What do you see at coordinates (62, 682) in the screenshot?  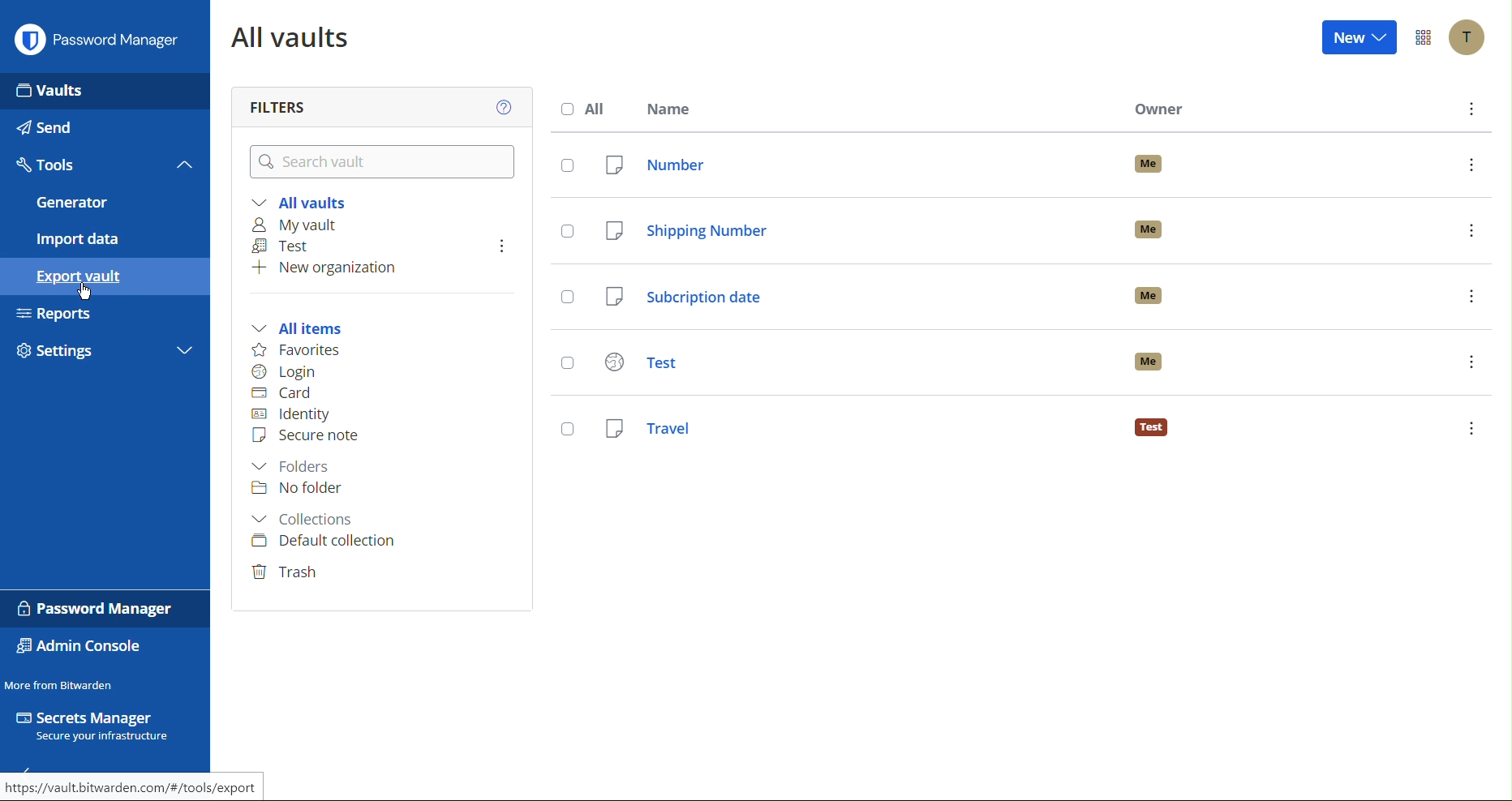 I see `Move from Bitwarden` at bounding box center [62, 682].